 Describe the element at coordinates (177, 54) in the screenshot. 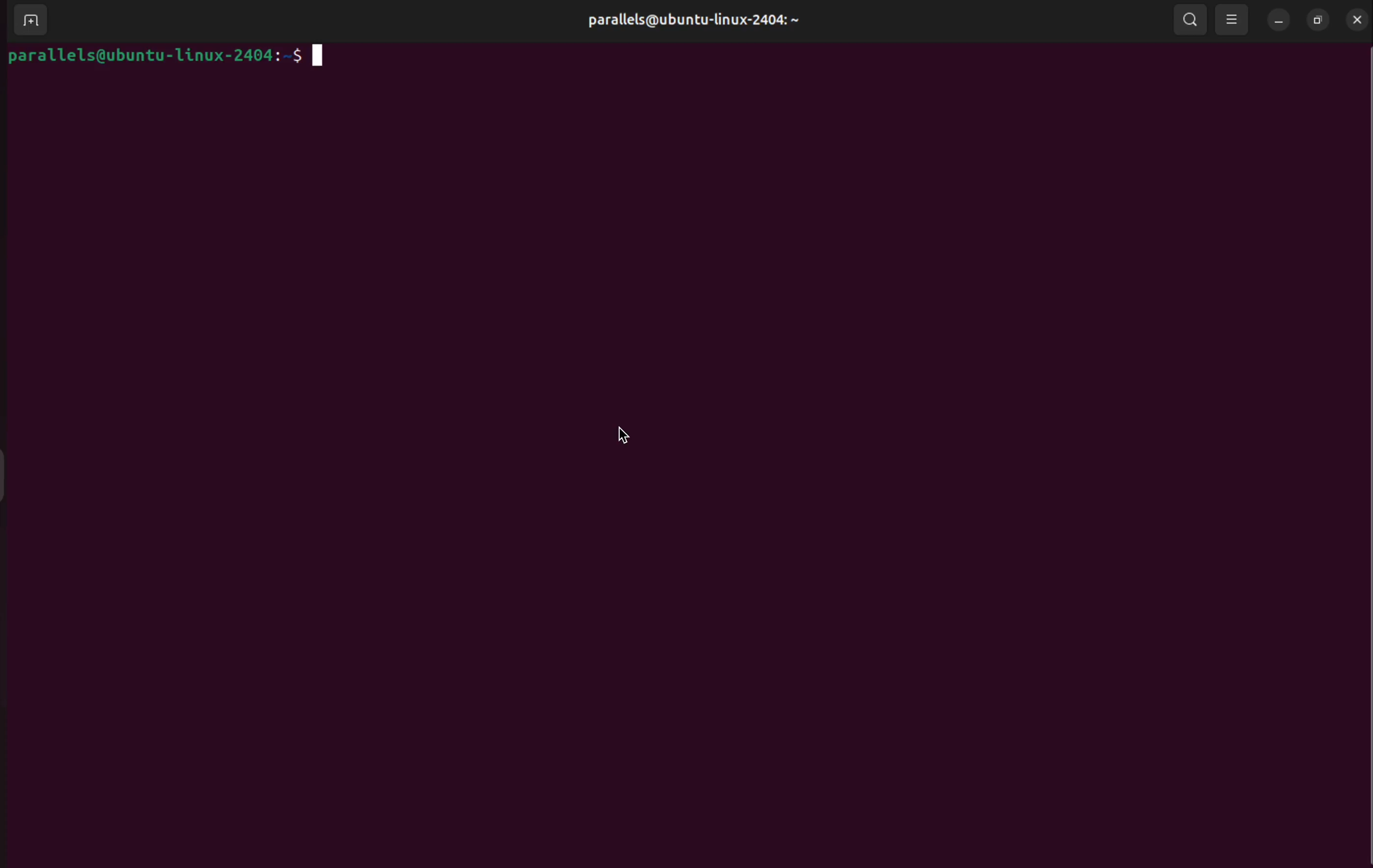

I see `bash prompt` at that location.